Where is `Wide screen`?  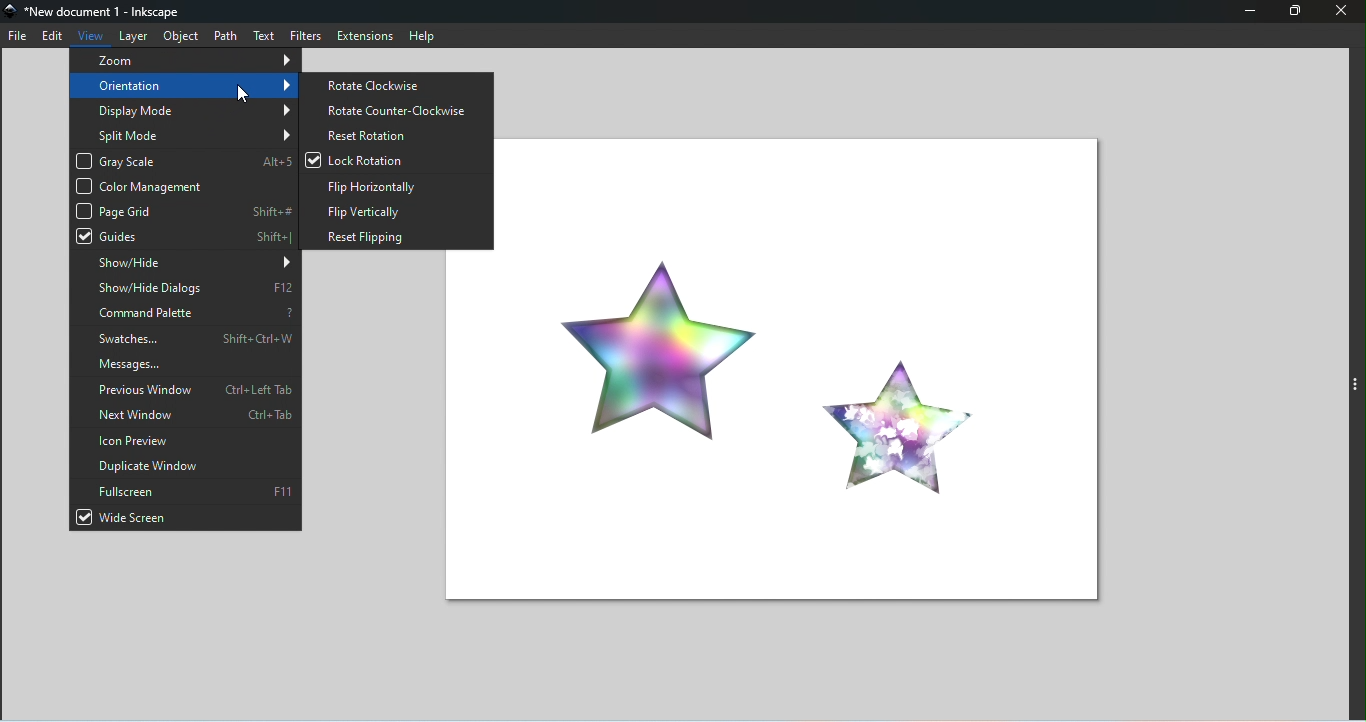
Wide screen is located at coordinates (187, 518).